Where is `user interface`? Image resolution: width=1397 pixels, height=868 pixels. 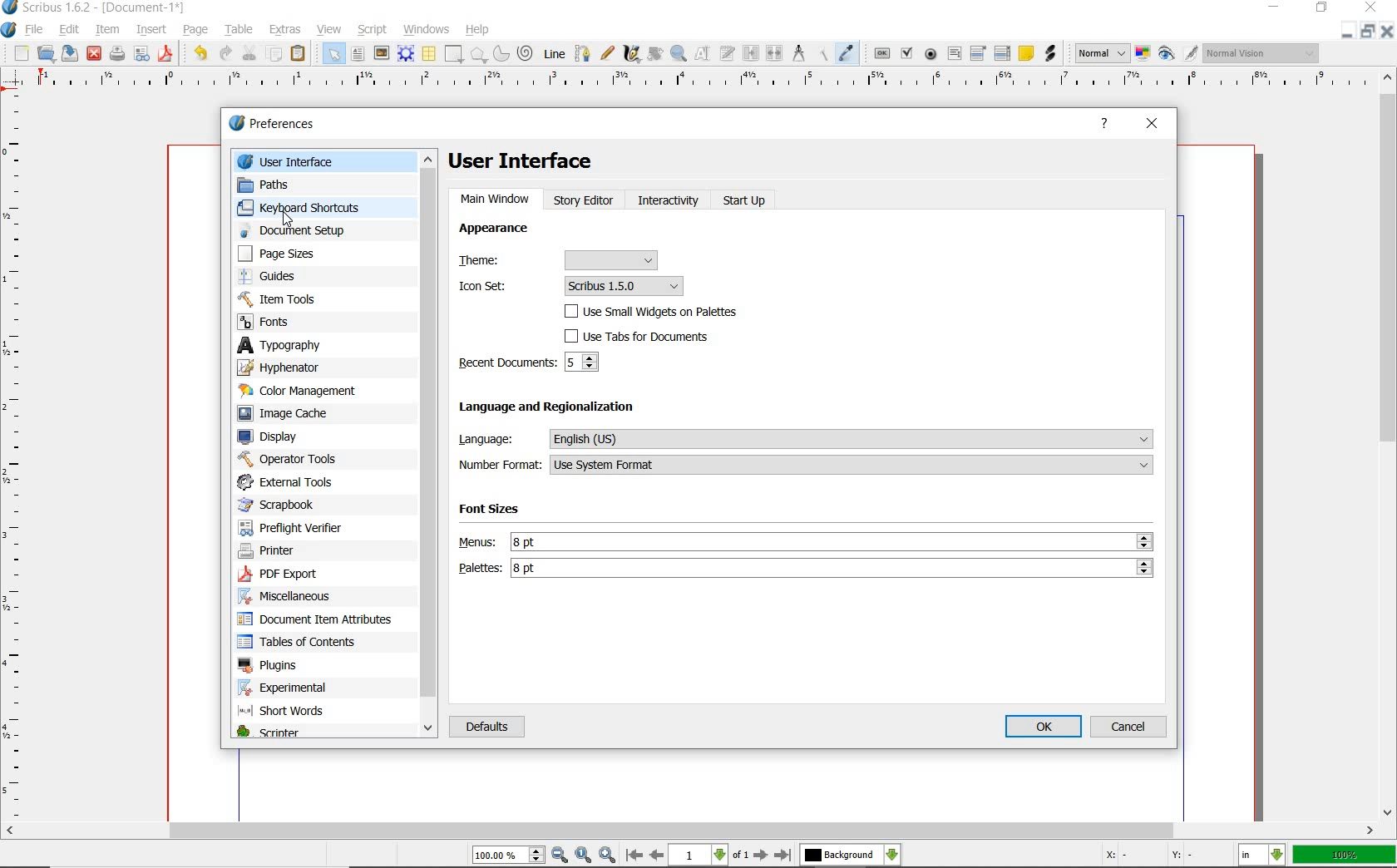
user interface is located at coordinates (530, 160).